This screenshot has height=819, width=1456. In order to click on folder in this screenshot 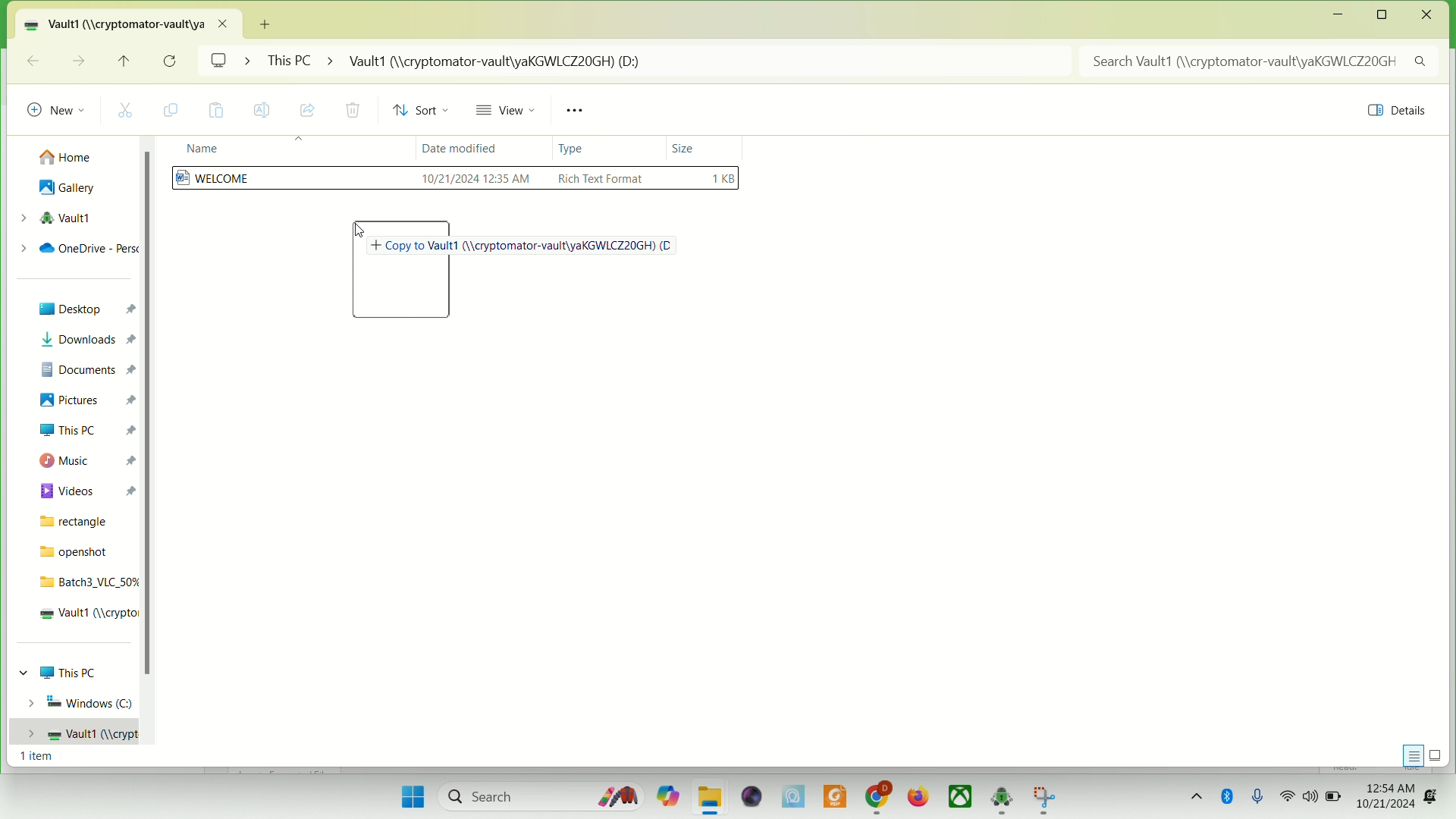, I will do `click(402, 273)`.